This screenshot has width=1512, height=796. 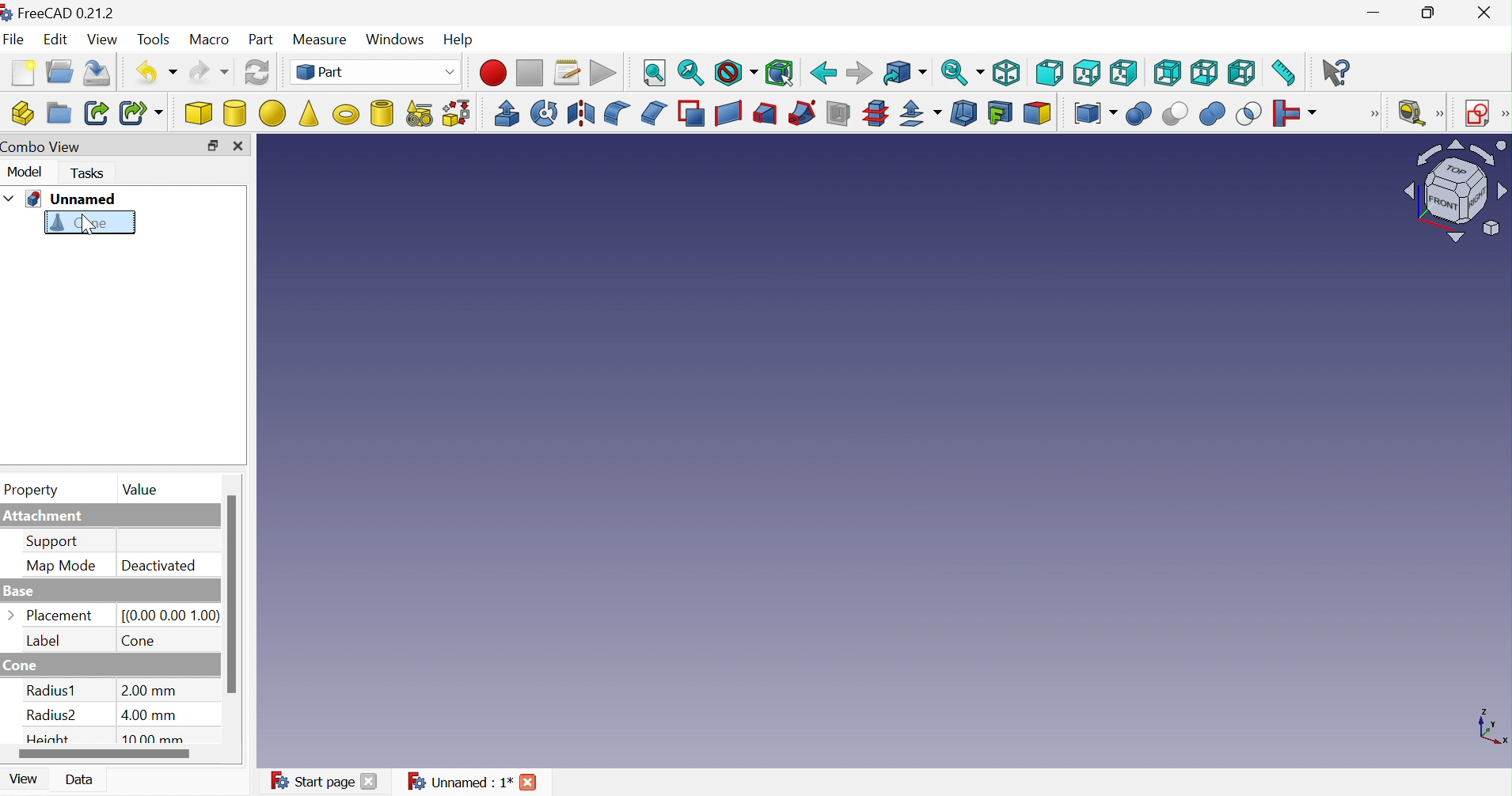 What do you see at coordinates (691, 113) in the screenshot?
I see `Make face from wires` at bounding box center [691, 113].